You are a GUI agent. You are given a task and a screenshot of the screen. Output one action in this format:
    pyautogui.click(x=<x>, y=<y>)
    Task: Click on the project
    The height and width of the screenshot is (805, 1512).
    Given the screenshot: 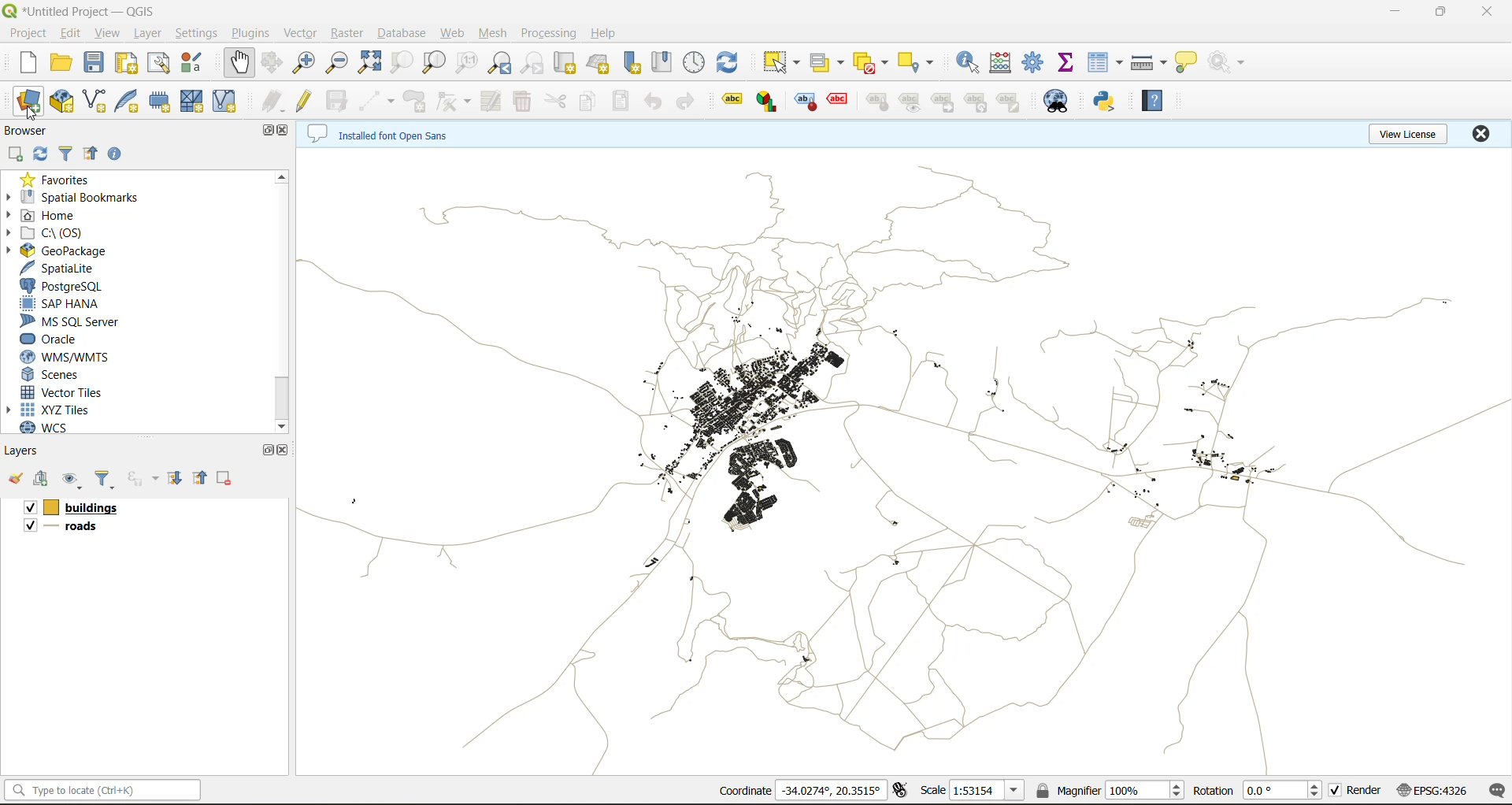 What is the action you would take?
    pyautogui.click(x=28, y=34)
    